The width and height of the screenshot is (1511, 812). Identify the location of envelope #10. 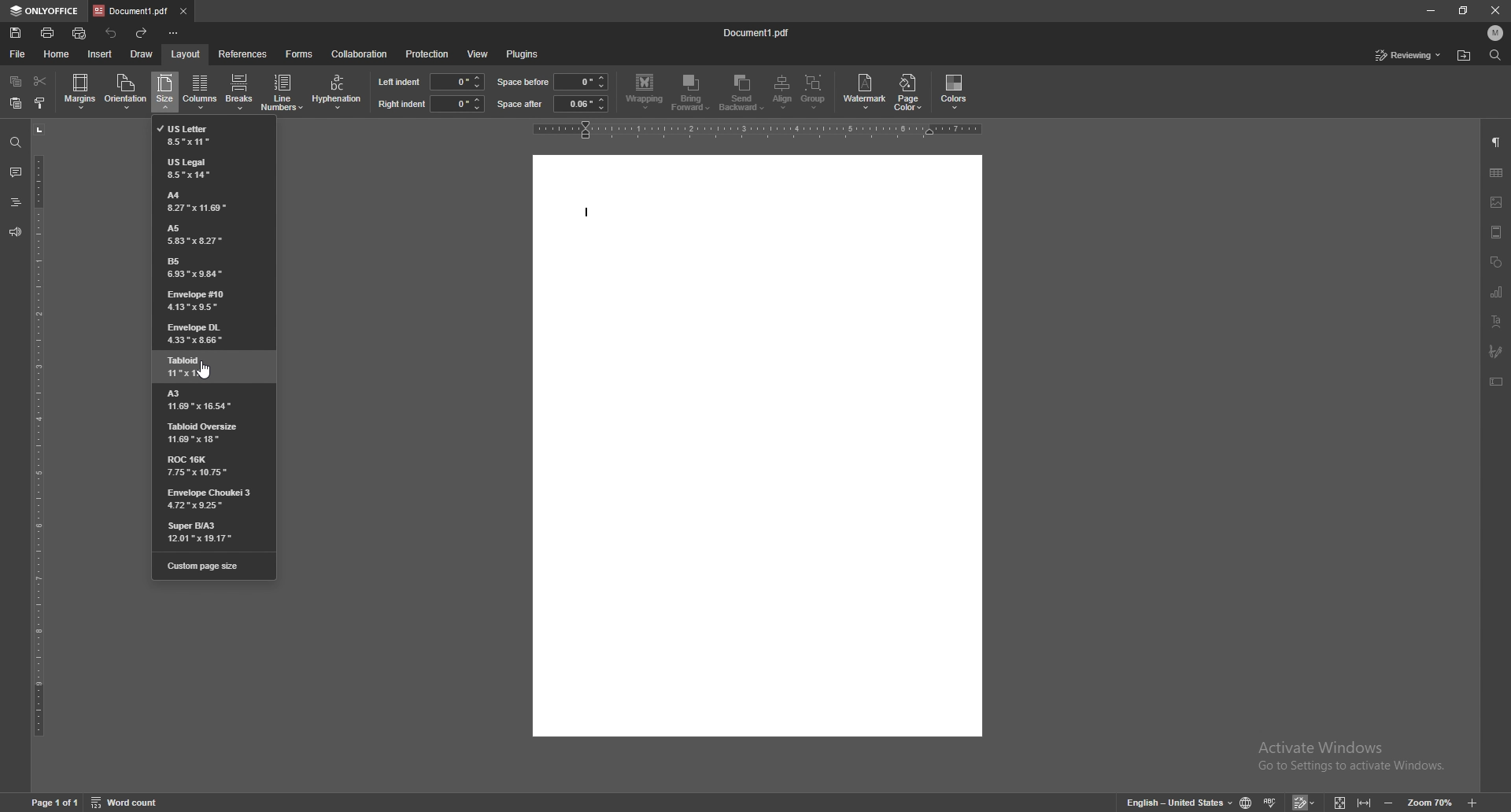
(208, 301).